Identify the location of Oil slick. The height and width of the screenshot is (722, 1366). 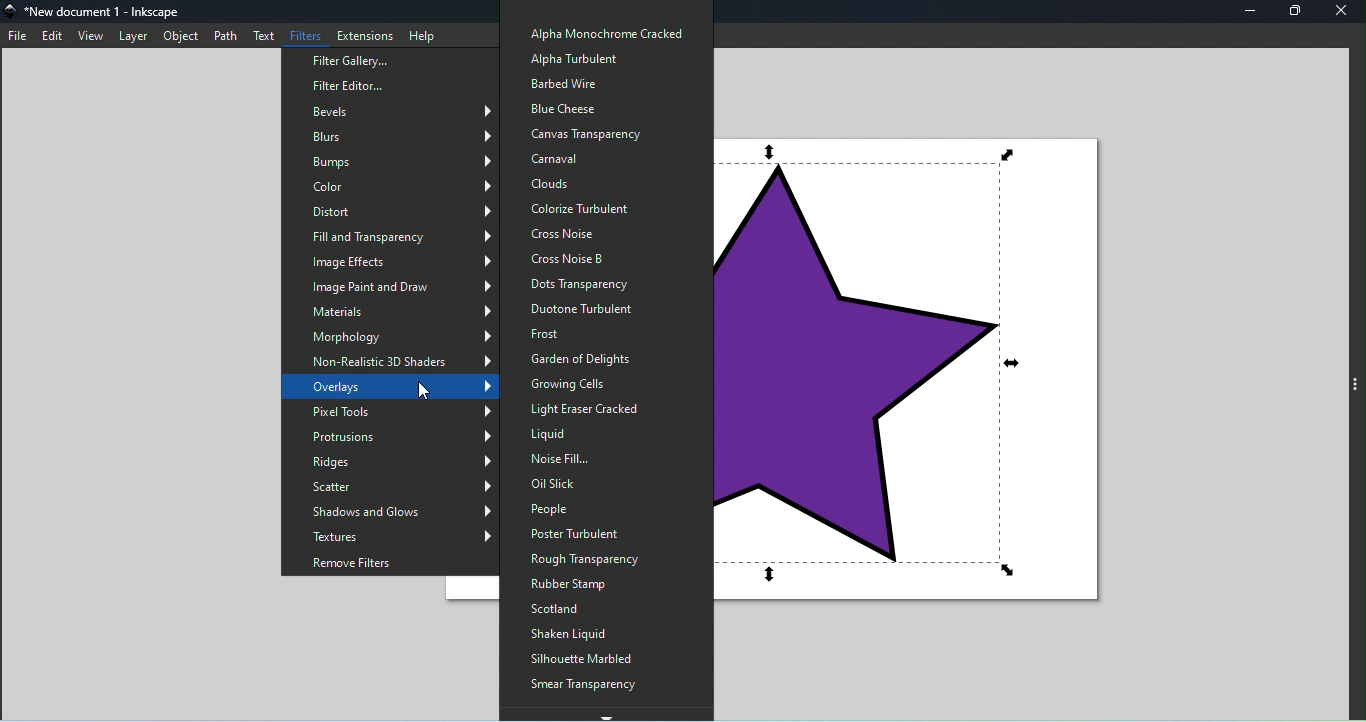
(603, 484).